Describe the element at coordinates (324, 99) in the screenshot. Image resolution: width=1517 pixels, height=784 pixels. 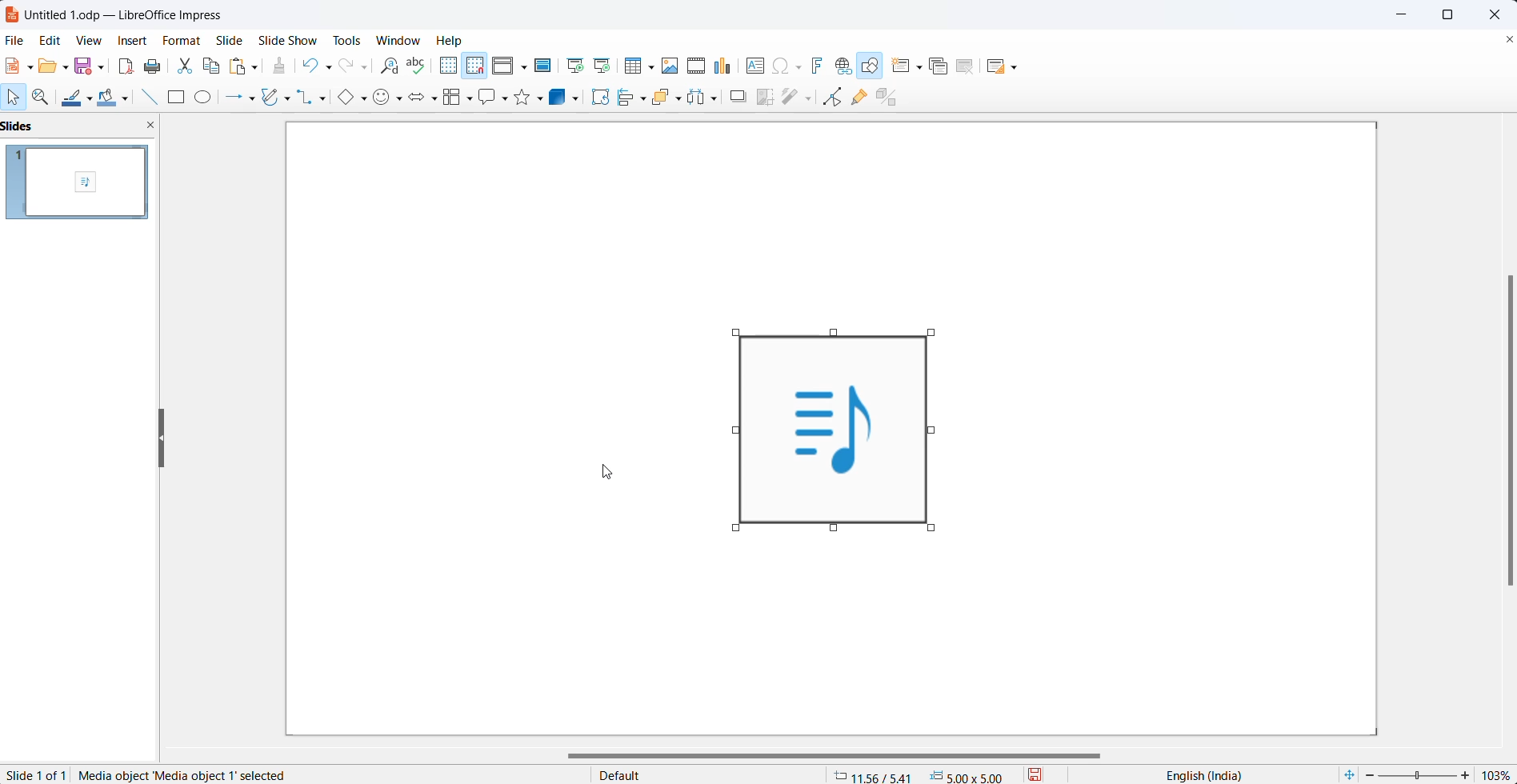
I see `connectors options` at that location.